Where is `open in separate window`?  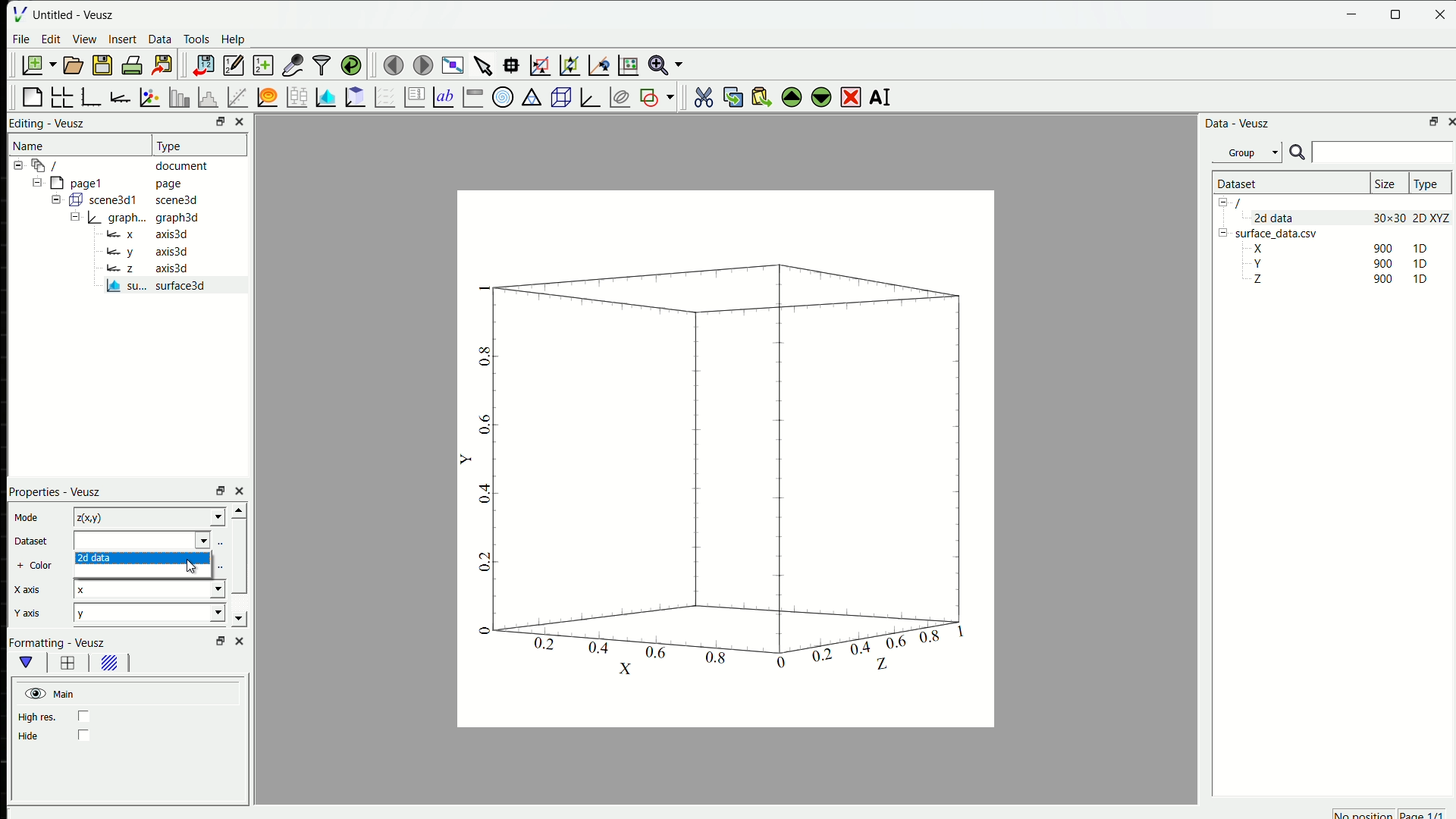
open in separate window is located at coordinates (221, 121).